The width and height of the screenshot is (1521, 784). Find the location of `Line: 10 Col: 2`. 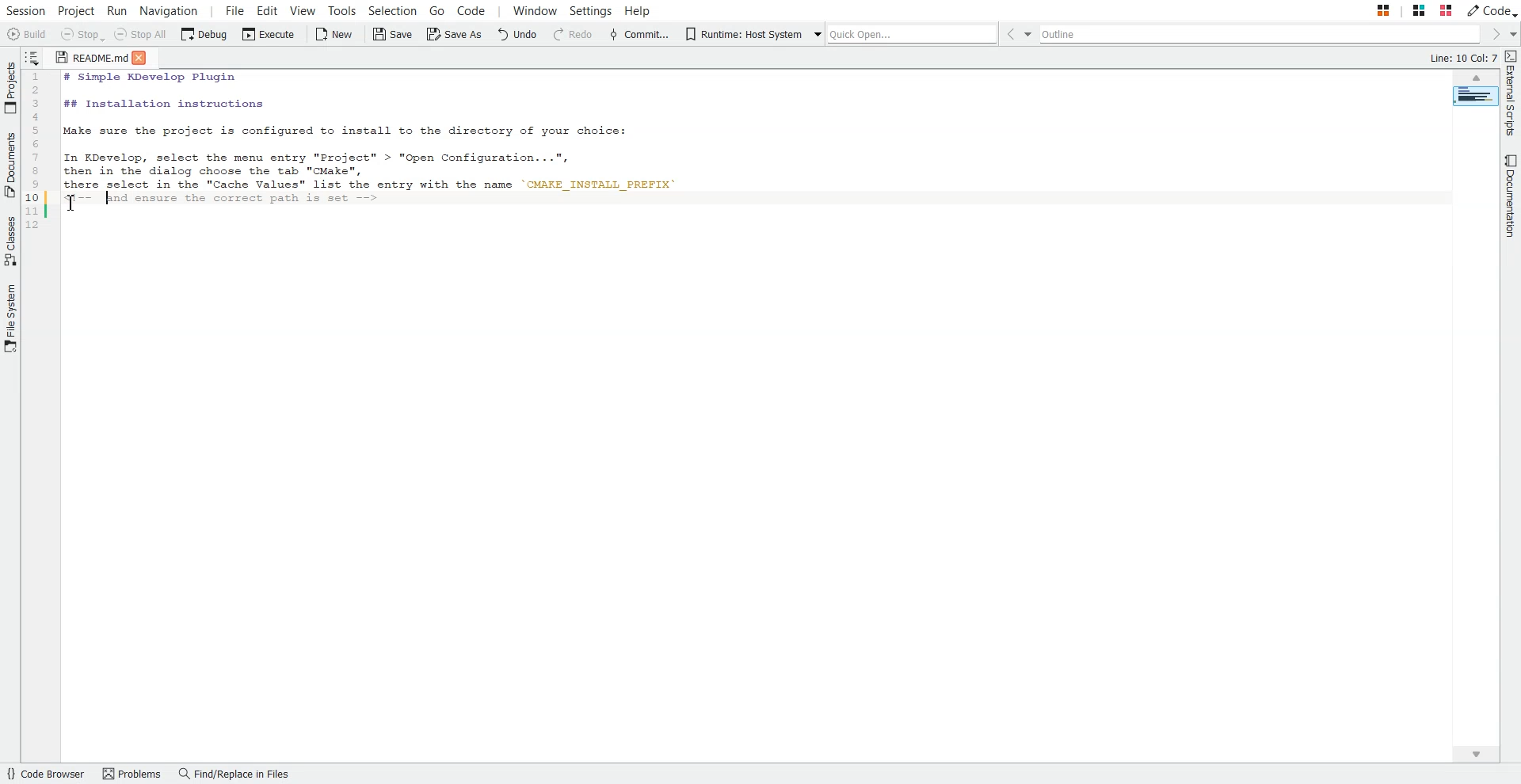

Line: 10 Col: 2 is located at coordinates (1464, 56).